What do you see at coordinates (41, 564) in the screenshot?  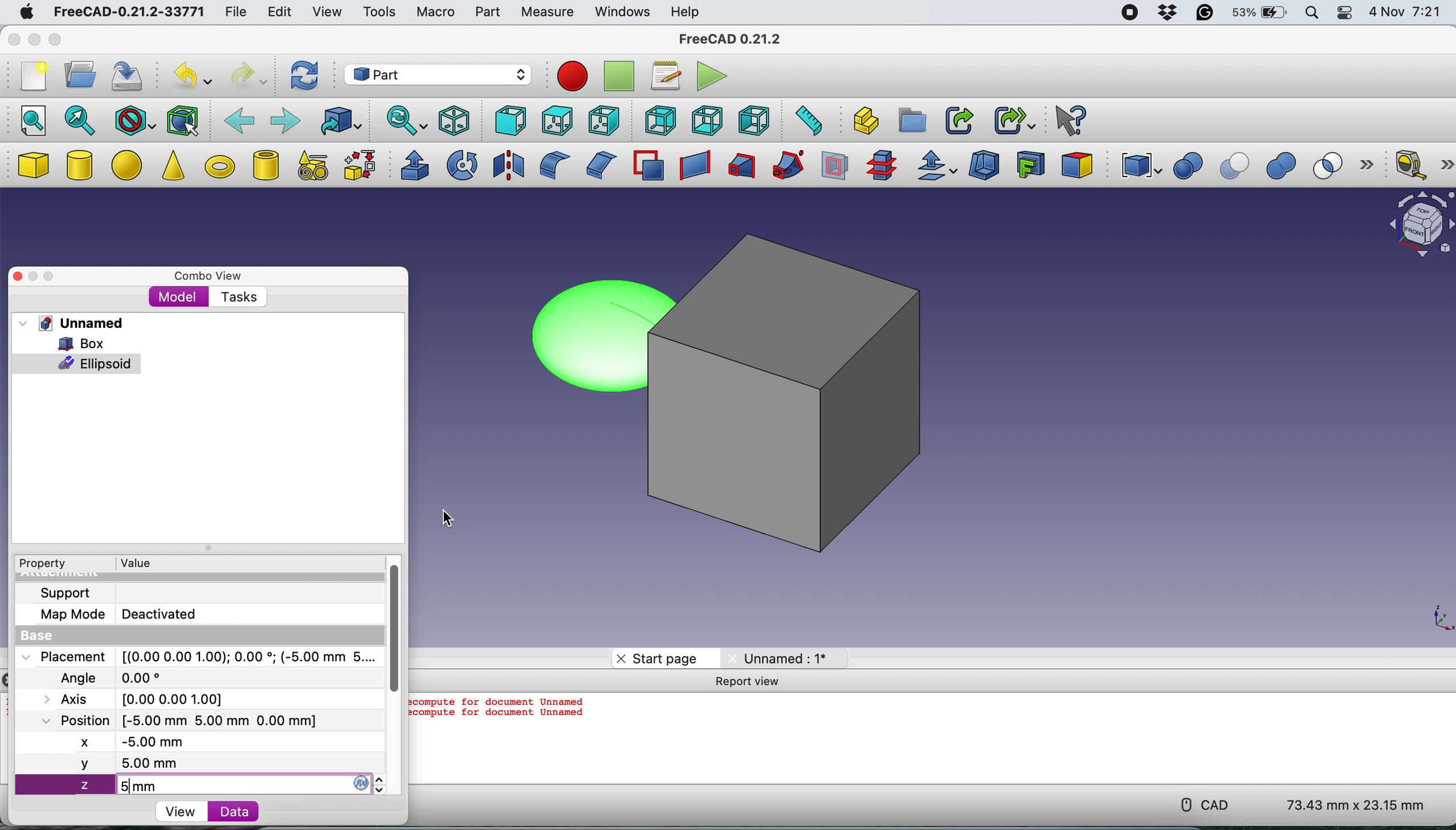 I see `property` at bounding box center [41, 564].